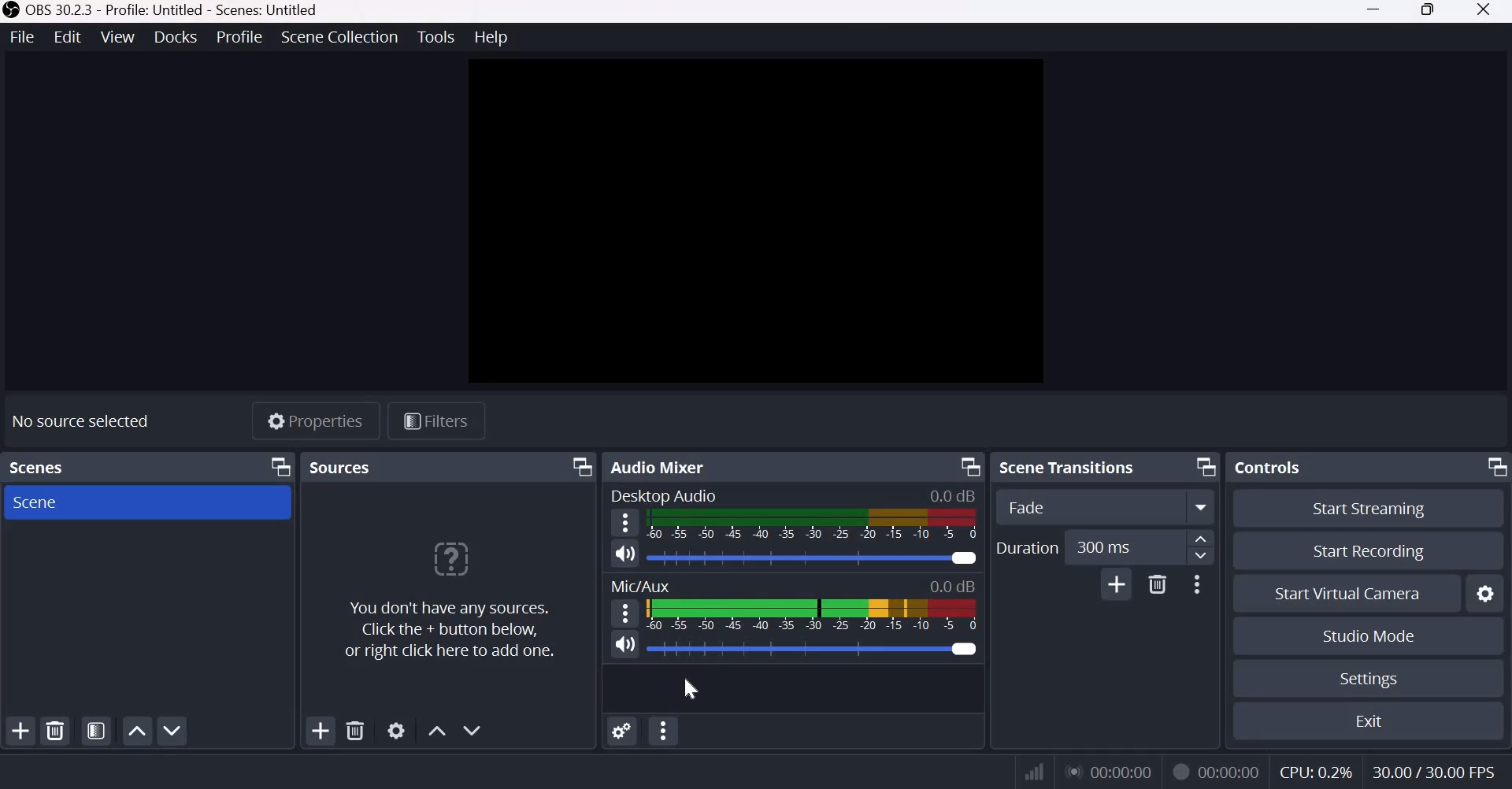  I want to click on Audio Level Indicator, so click(952, 585).